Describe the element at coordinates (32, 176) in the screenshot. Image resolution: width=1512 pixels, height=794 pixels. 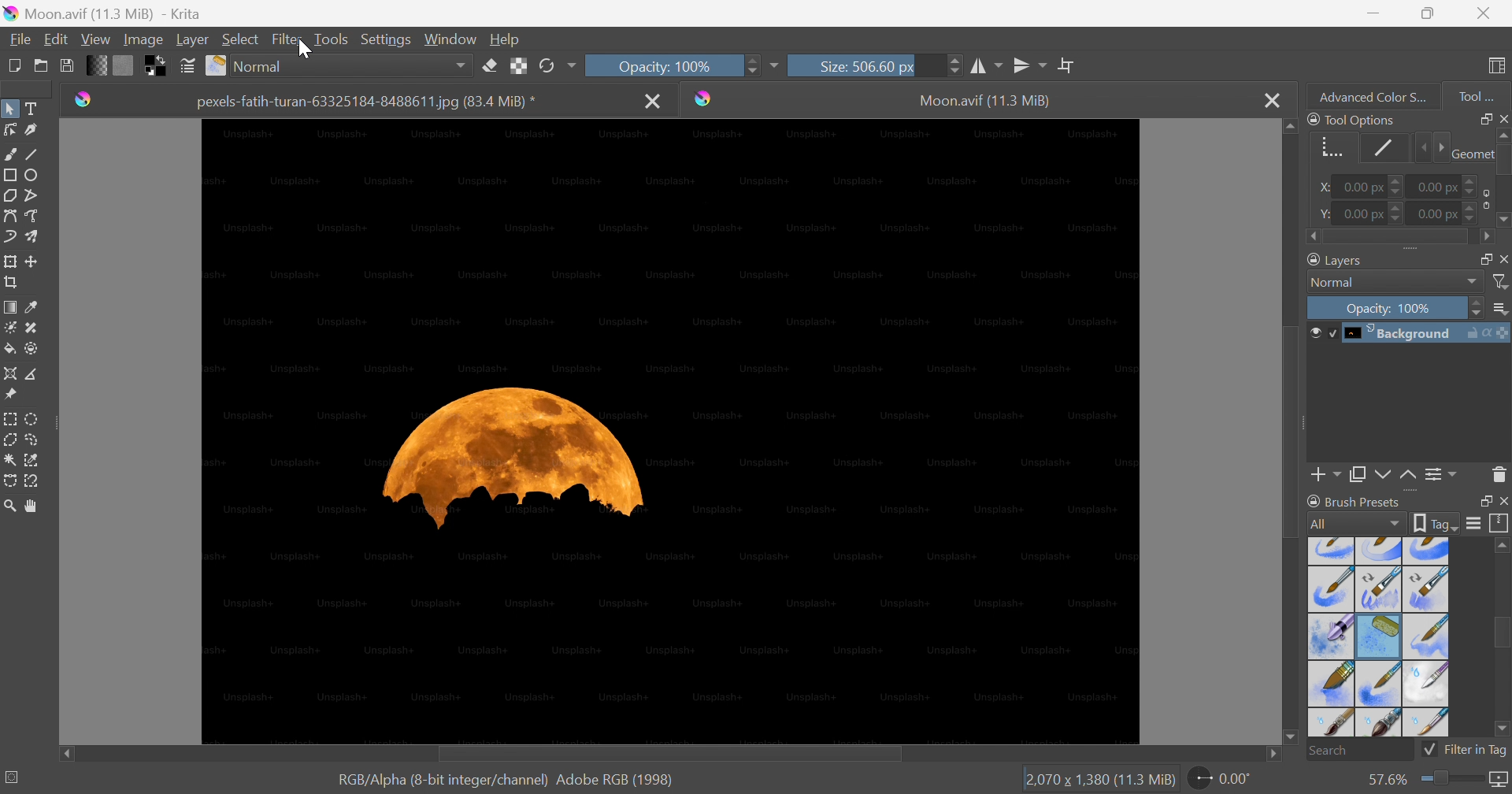
I see `Ellipse tool` at that location.